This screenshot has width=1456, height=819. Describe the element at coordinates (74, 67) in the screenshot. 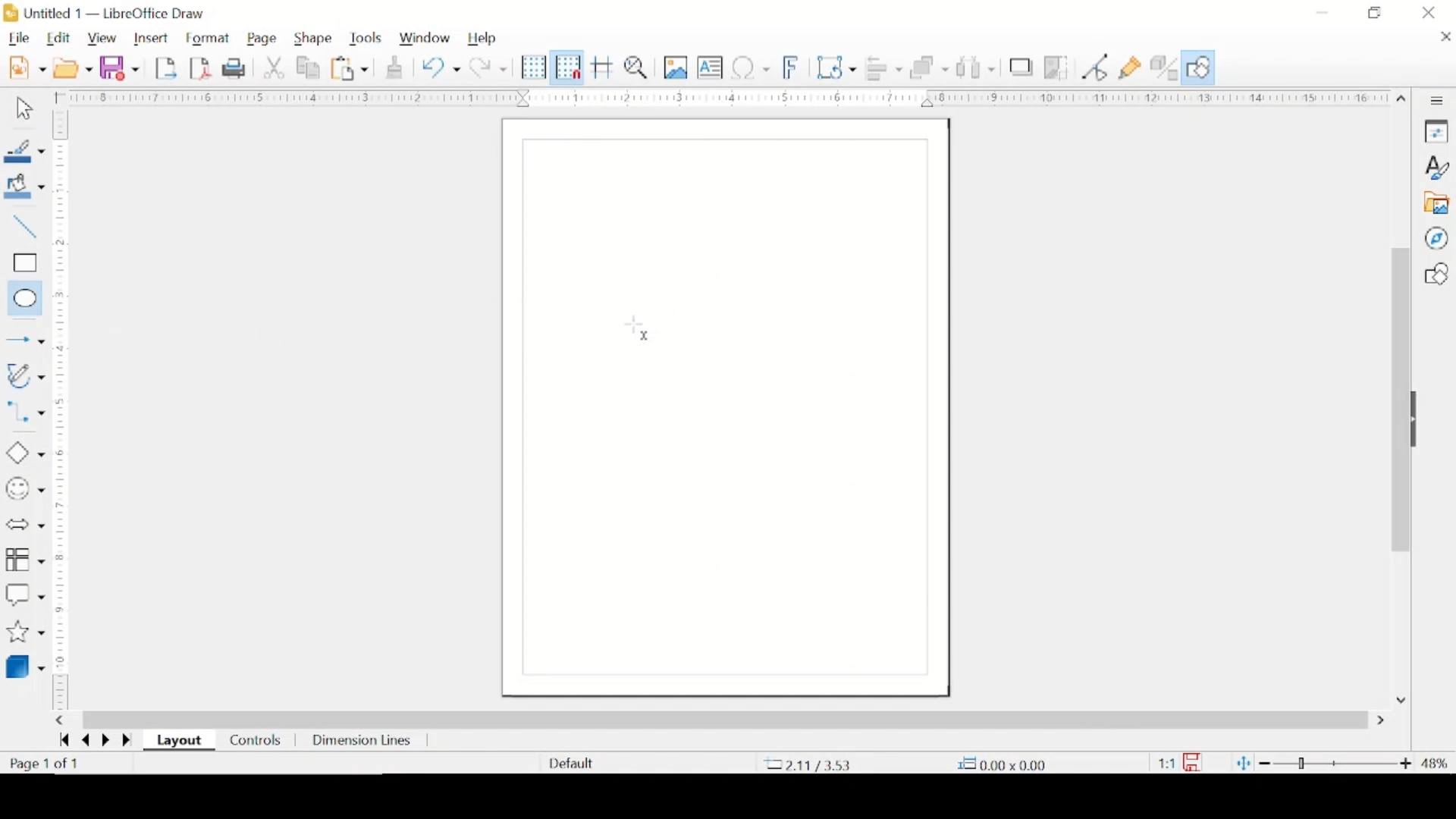

I see `open` at that location.